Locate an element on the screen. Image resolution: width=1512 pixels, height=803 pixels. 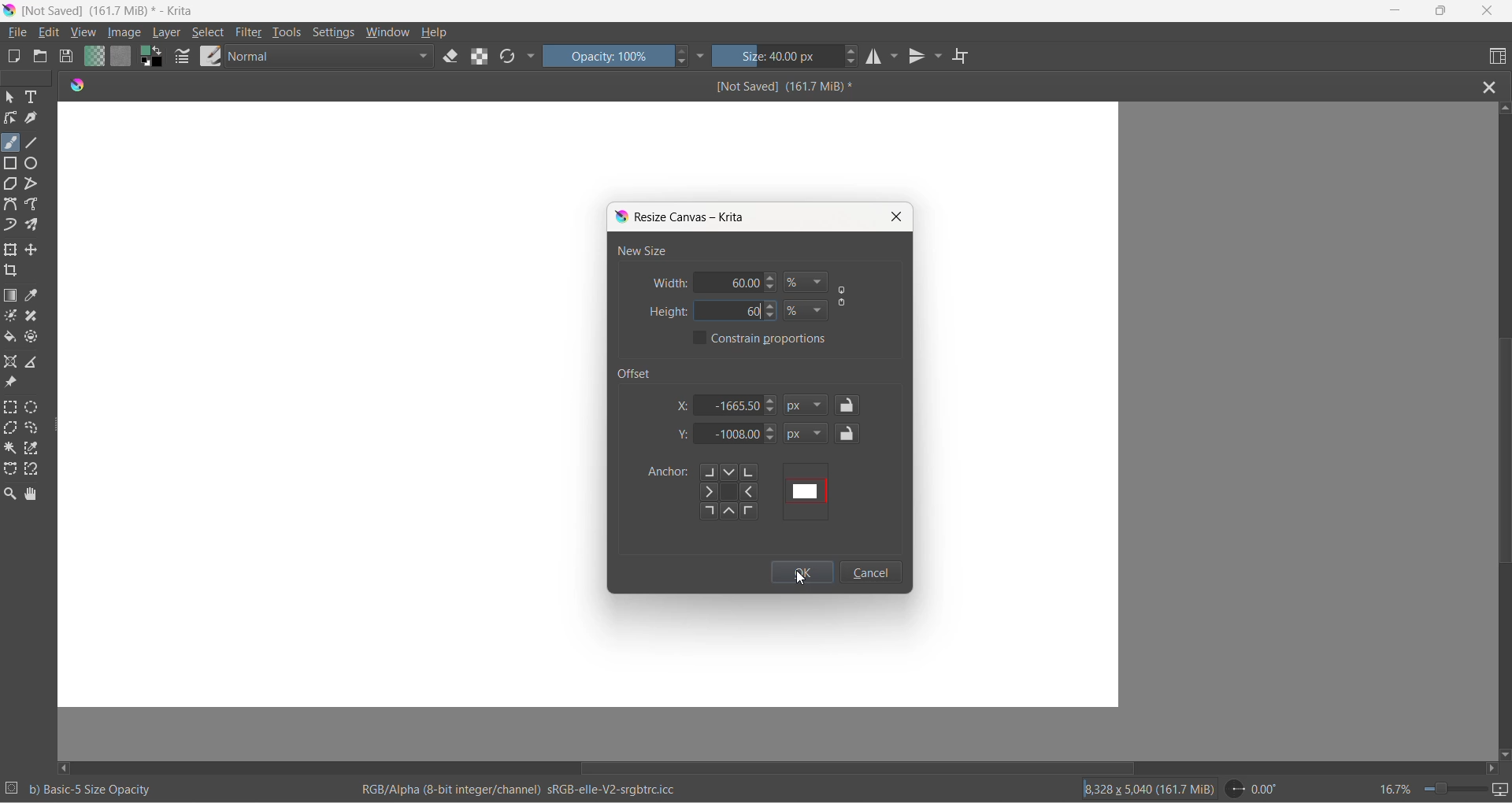
zoom percentage is located at coordinates (1394, 787).